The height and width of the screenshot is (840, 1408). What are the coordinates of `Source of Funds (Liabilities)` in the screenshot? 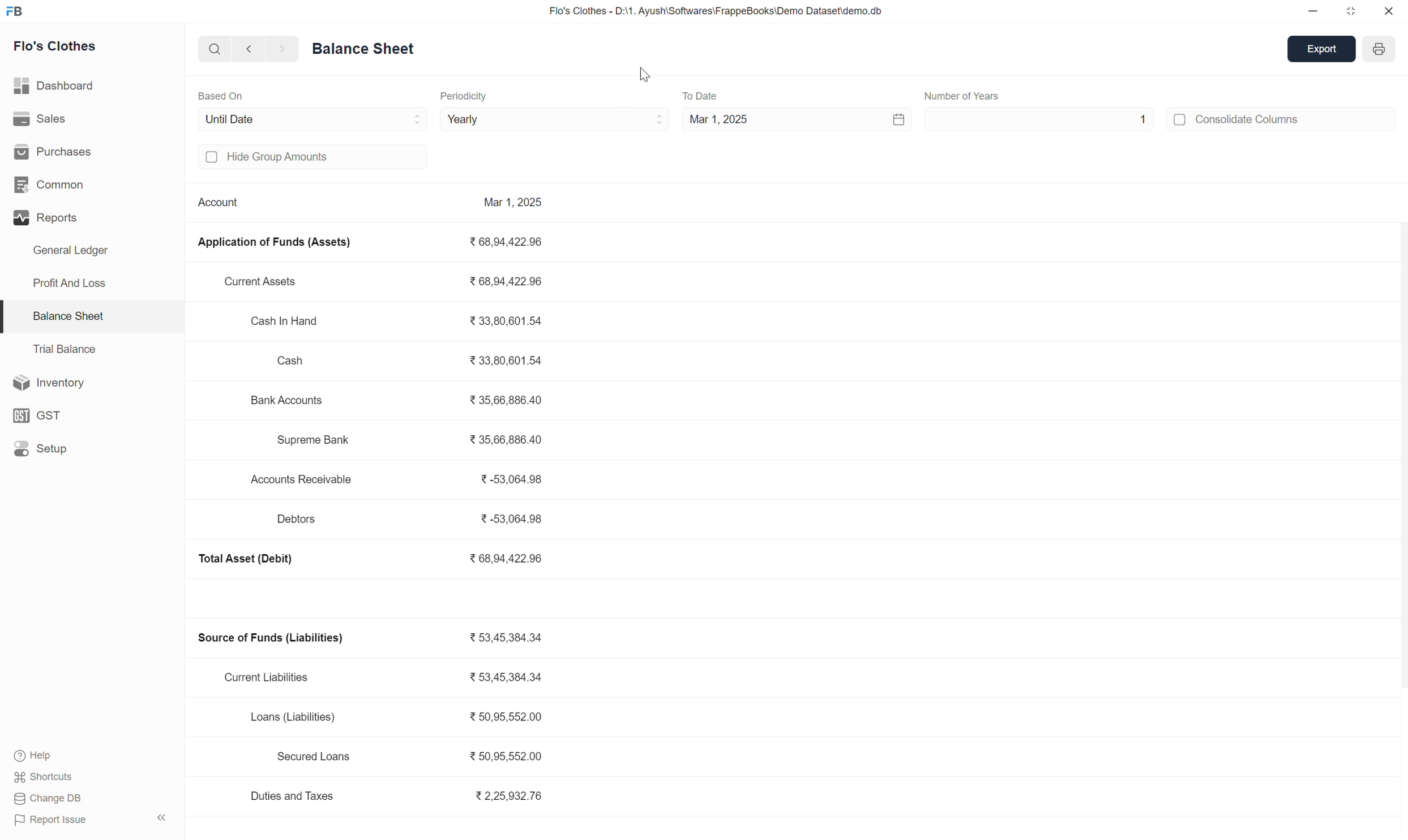 It's located at (272, 638).